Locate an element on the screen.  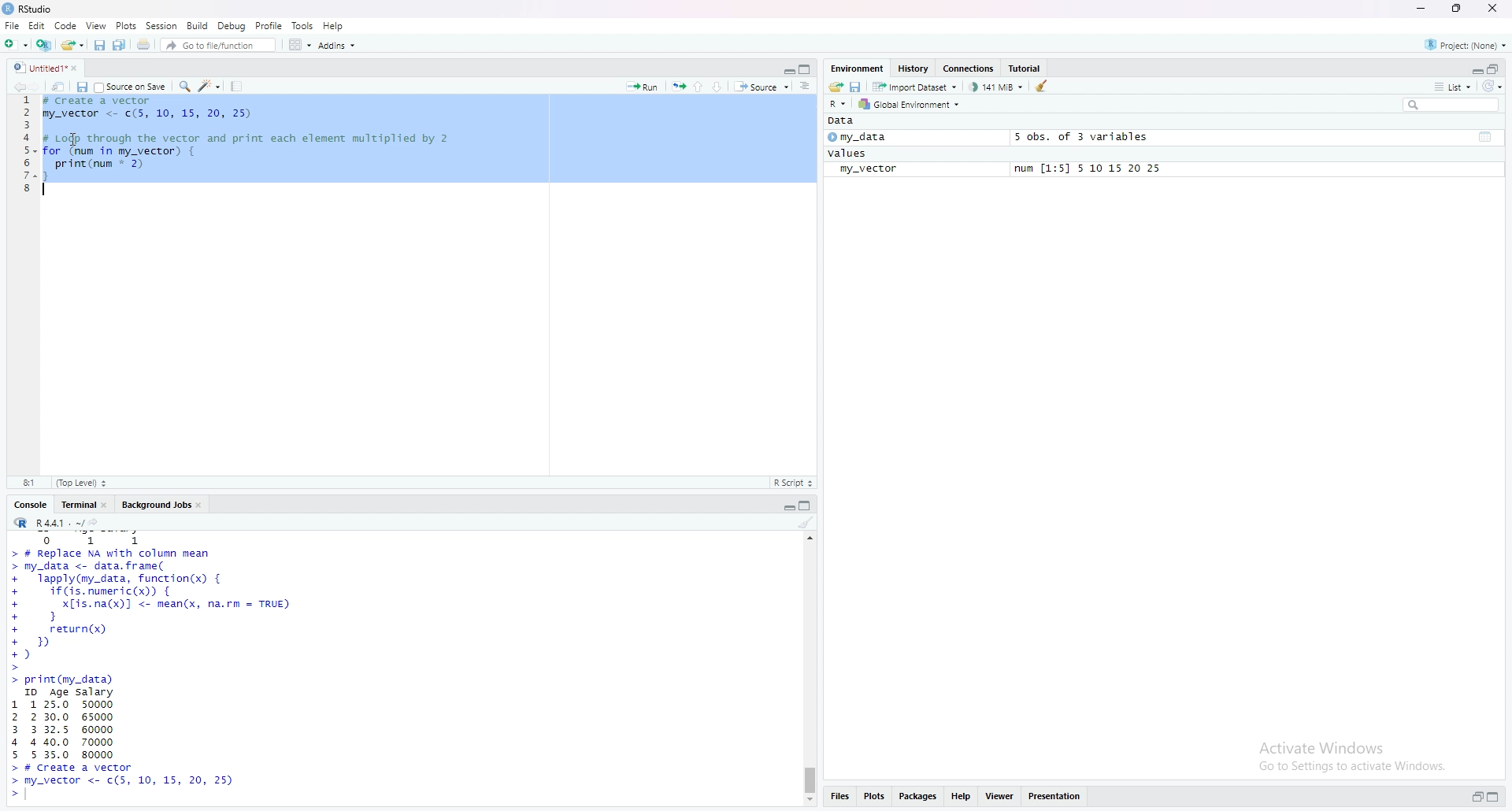
scrollbar is located at coordinates (810, 668).